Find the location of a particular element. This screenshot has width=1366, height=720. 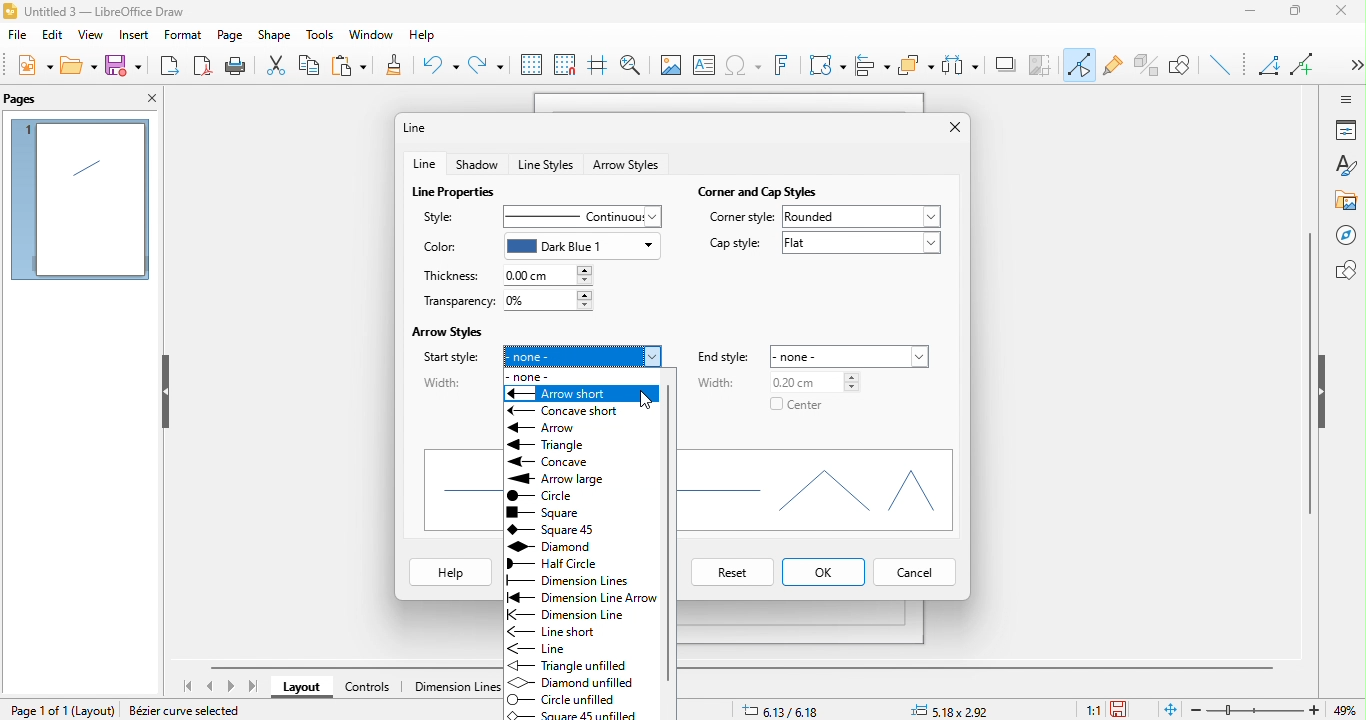

cut is located at coordinates (276, 66).